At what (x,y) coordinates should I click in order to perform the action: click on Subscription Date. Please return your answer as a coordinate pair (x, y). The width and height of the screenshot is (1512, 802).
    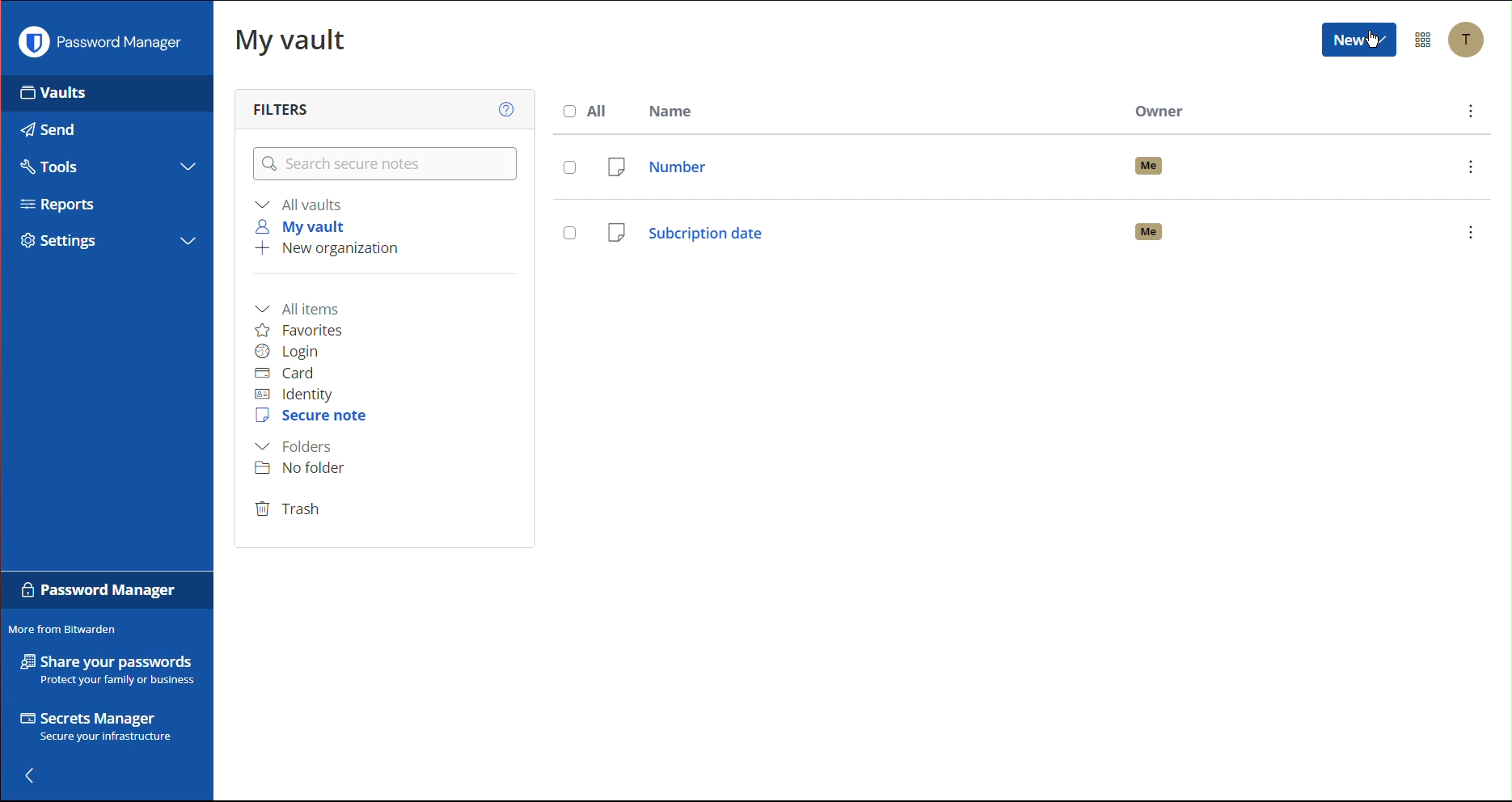
    Looking at the image, I should click on (1019, 229).